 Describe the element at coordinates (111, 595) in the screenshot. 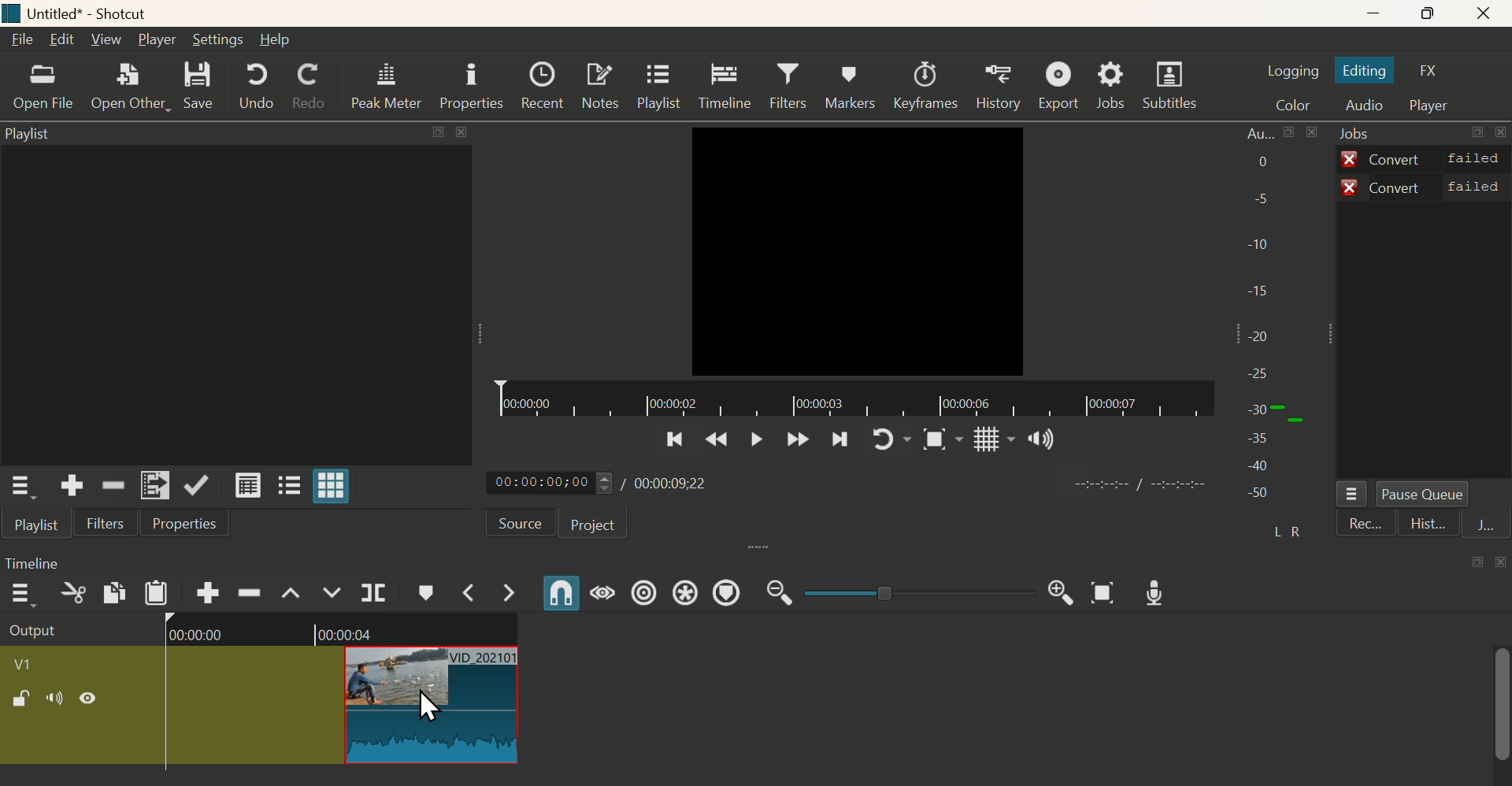

I see `Copy` at that location.